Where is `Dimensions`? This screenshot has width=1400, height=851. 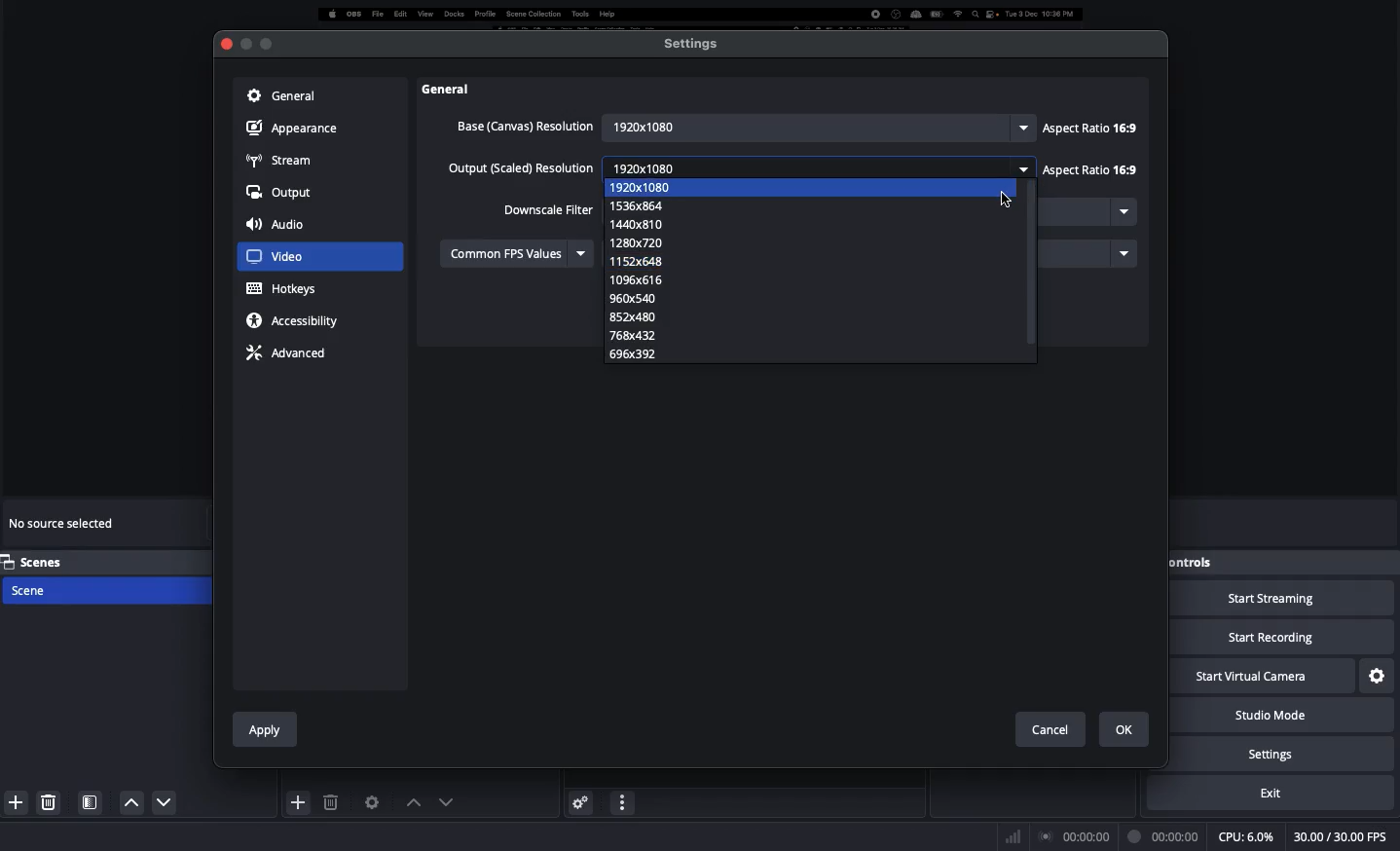 Dimensions is located at coordinates (766, 168).